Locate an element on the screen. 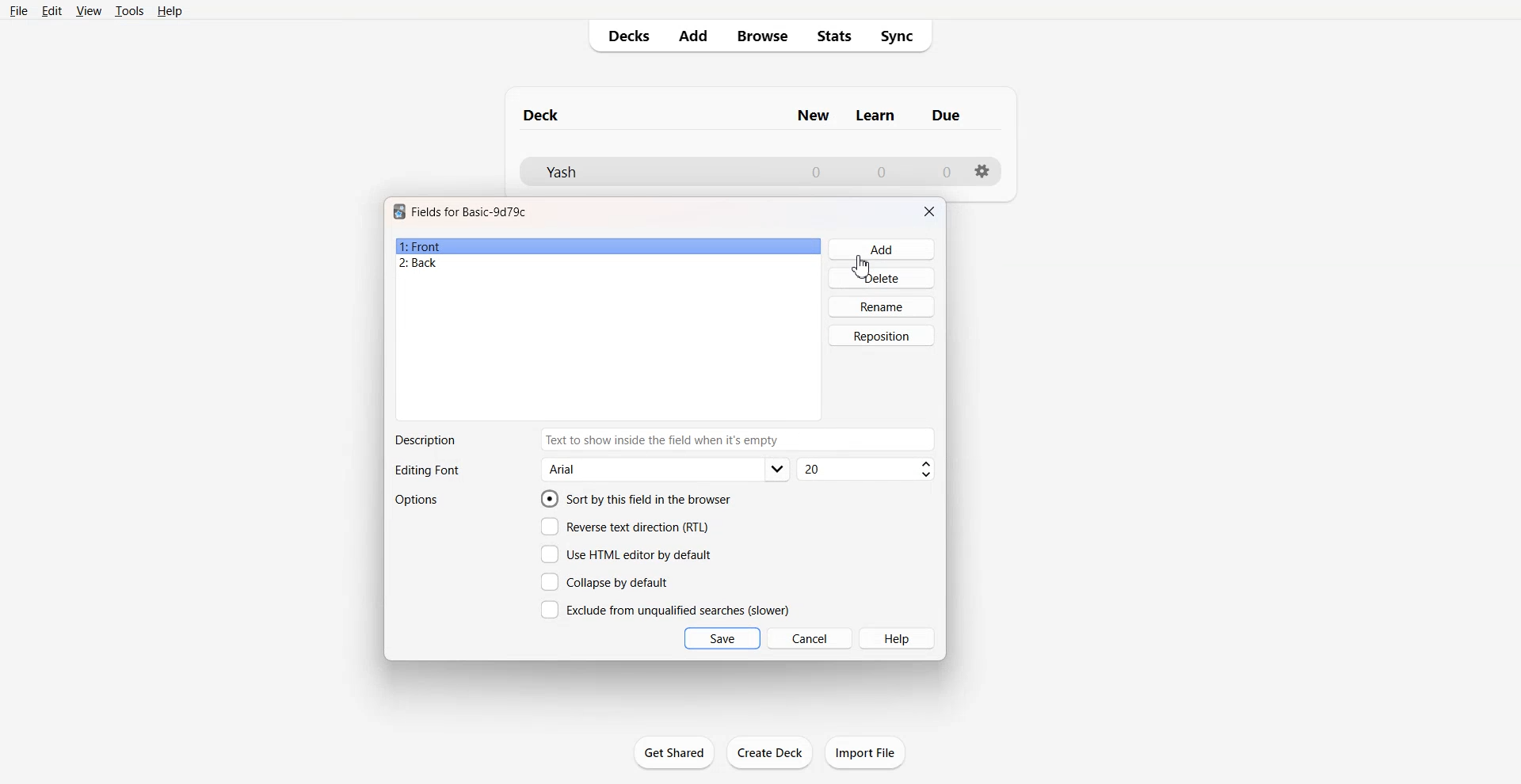 The width and height of the screenshot is (1521, 784). Text 1 is located at coordinates (470, 211).